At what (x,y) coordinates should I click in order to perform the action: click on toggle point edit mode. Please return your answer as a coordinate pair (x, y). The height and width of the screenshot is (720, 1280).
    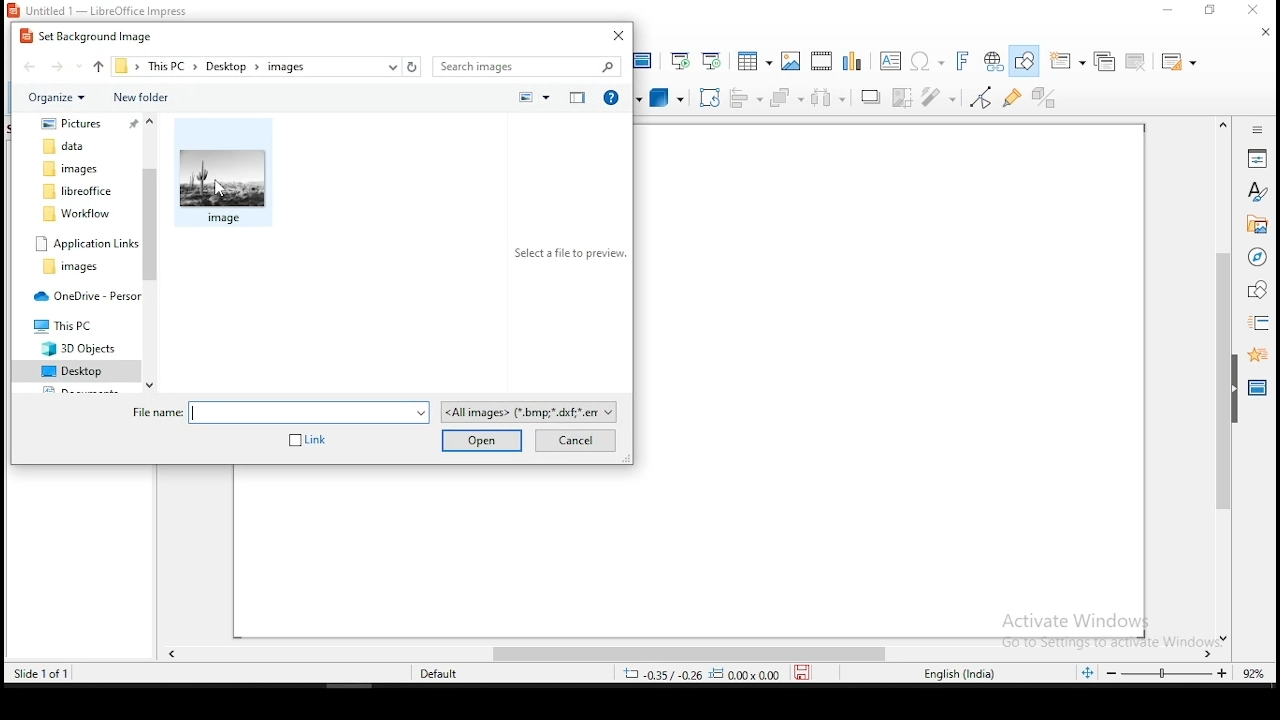
    Looking at the image, I should click on (982, 96).